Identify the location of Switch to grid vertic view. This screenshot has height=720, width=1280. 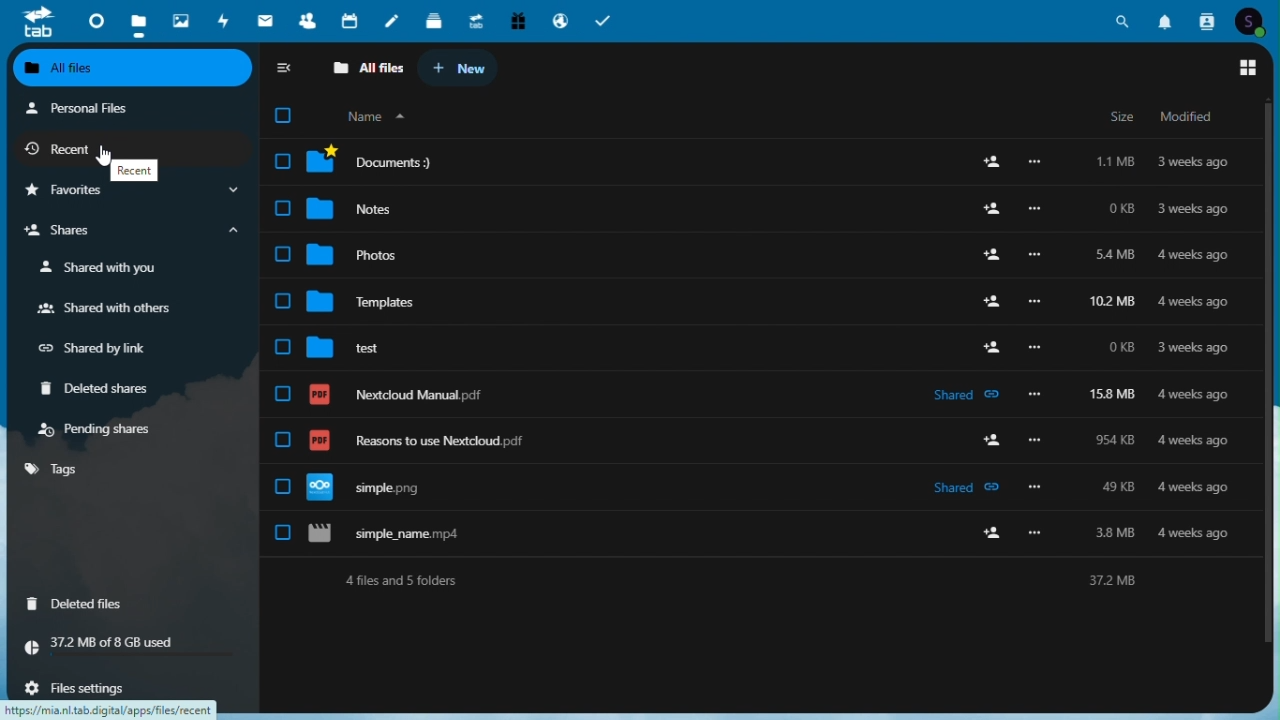
(1245, 70).